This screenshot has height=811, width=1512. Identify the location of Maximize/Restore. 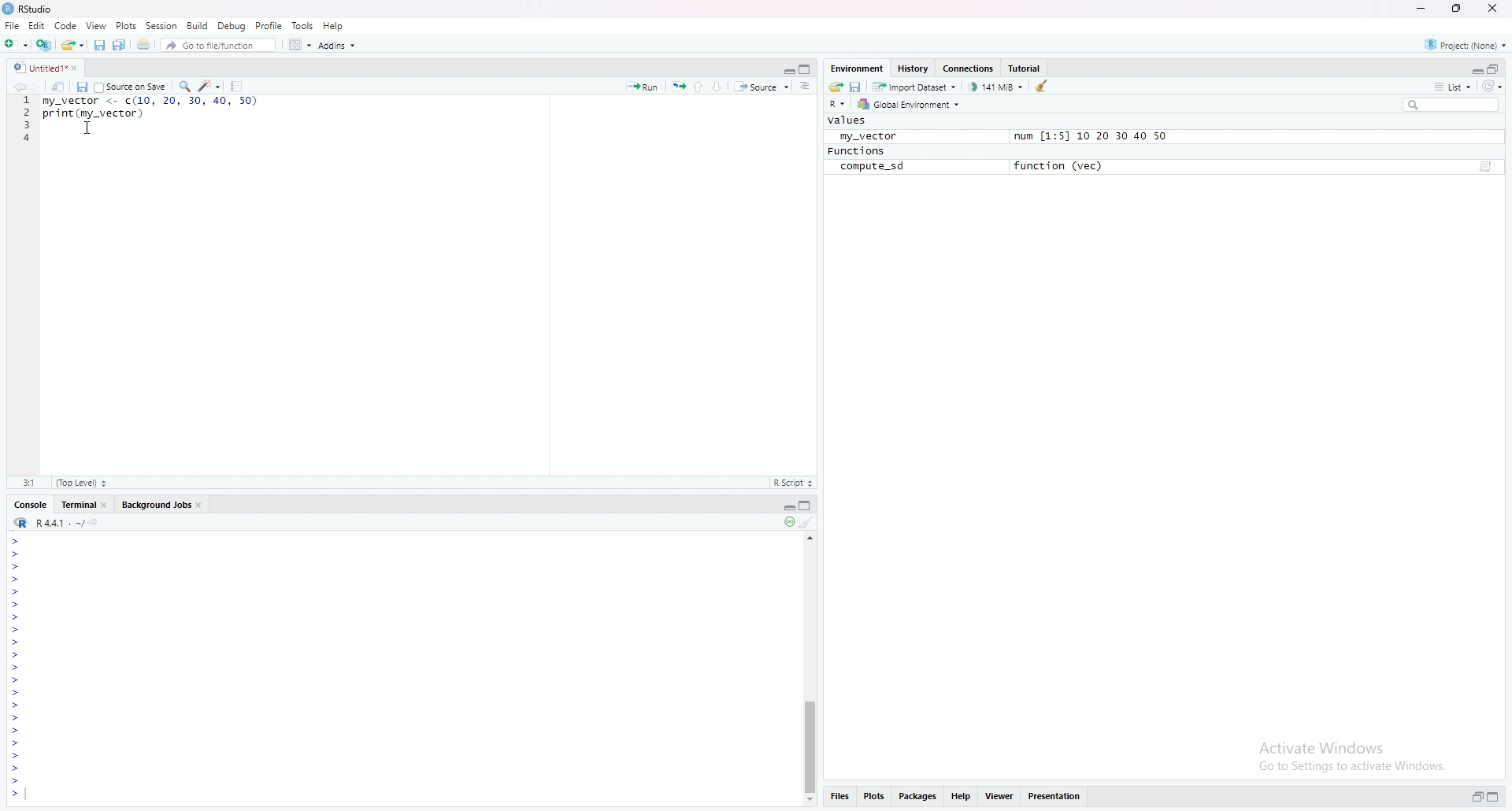
(806, 68).